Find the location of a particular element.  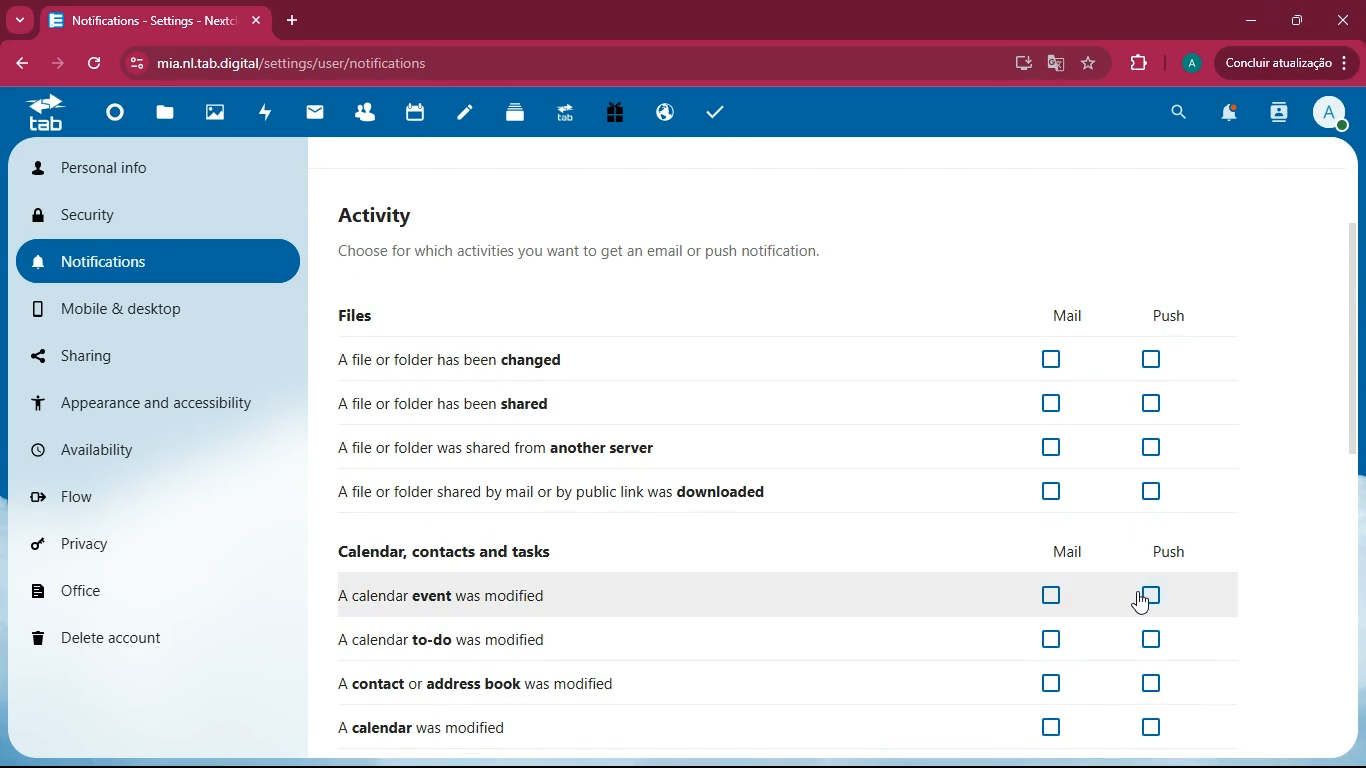

off is located at coordinates (1155, 595).